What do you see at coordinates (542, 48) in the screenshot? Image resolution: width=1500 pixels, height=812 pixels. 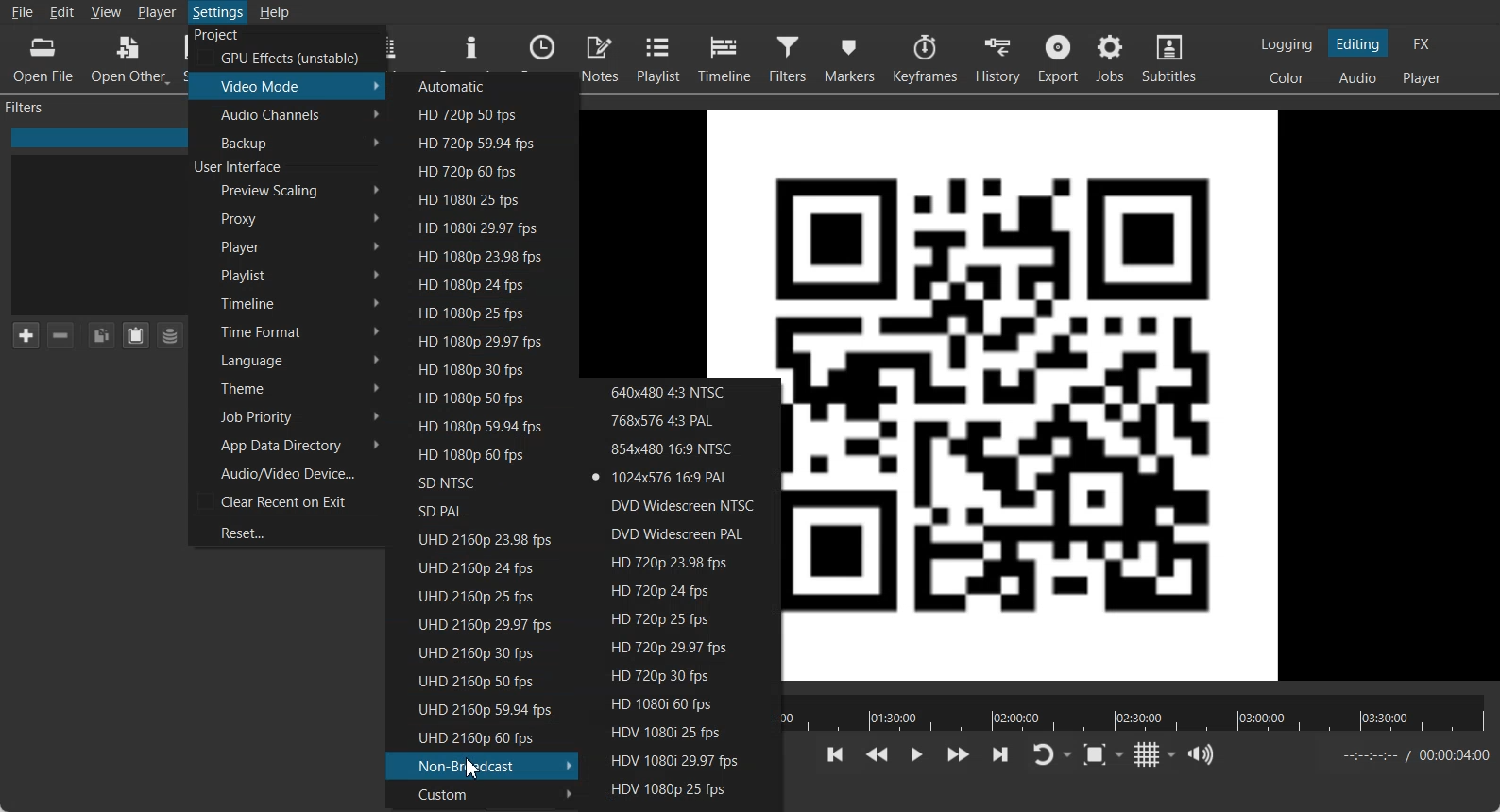 I see `Recent` at bounding box center [542, 48].